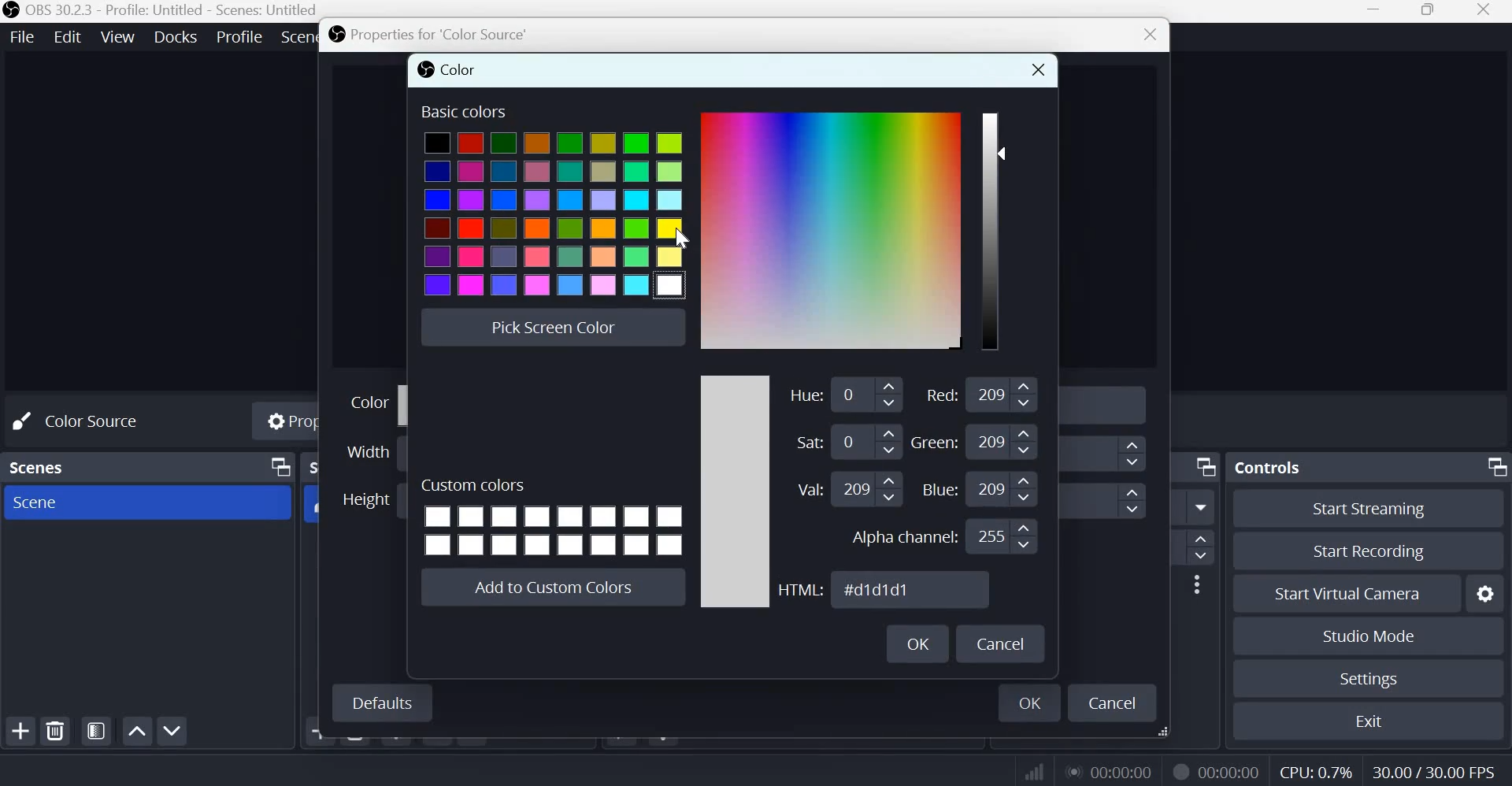 The height and width of the screenshot is (786, 1512). What do you see at coordinates (554, 513) in the screenshot?
I see `Cusom colors` at bounding box center [554, 513].